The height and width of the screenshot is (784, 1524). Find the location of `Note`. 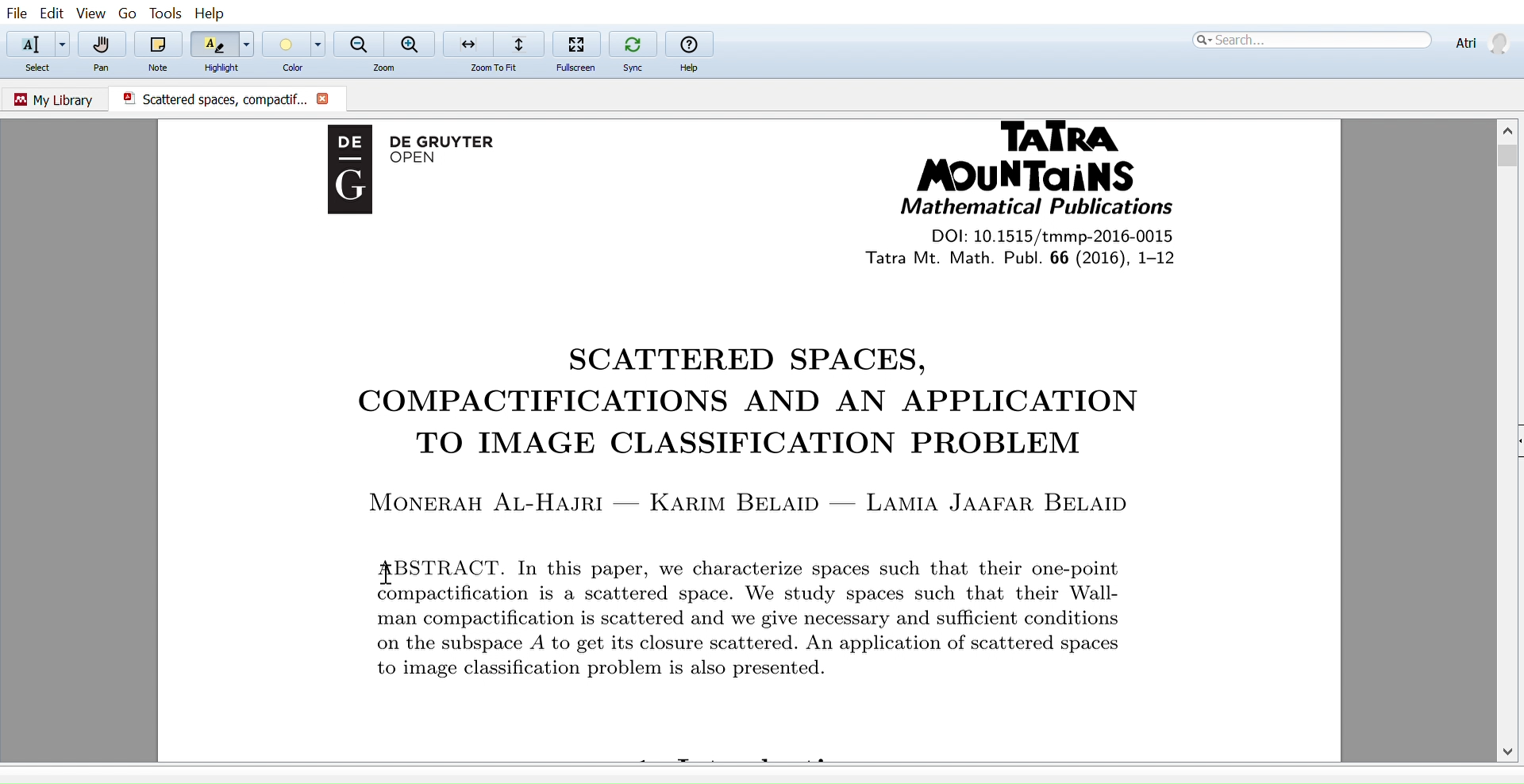

Note is located at coordinates (159, 44).